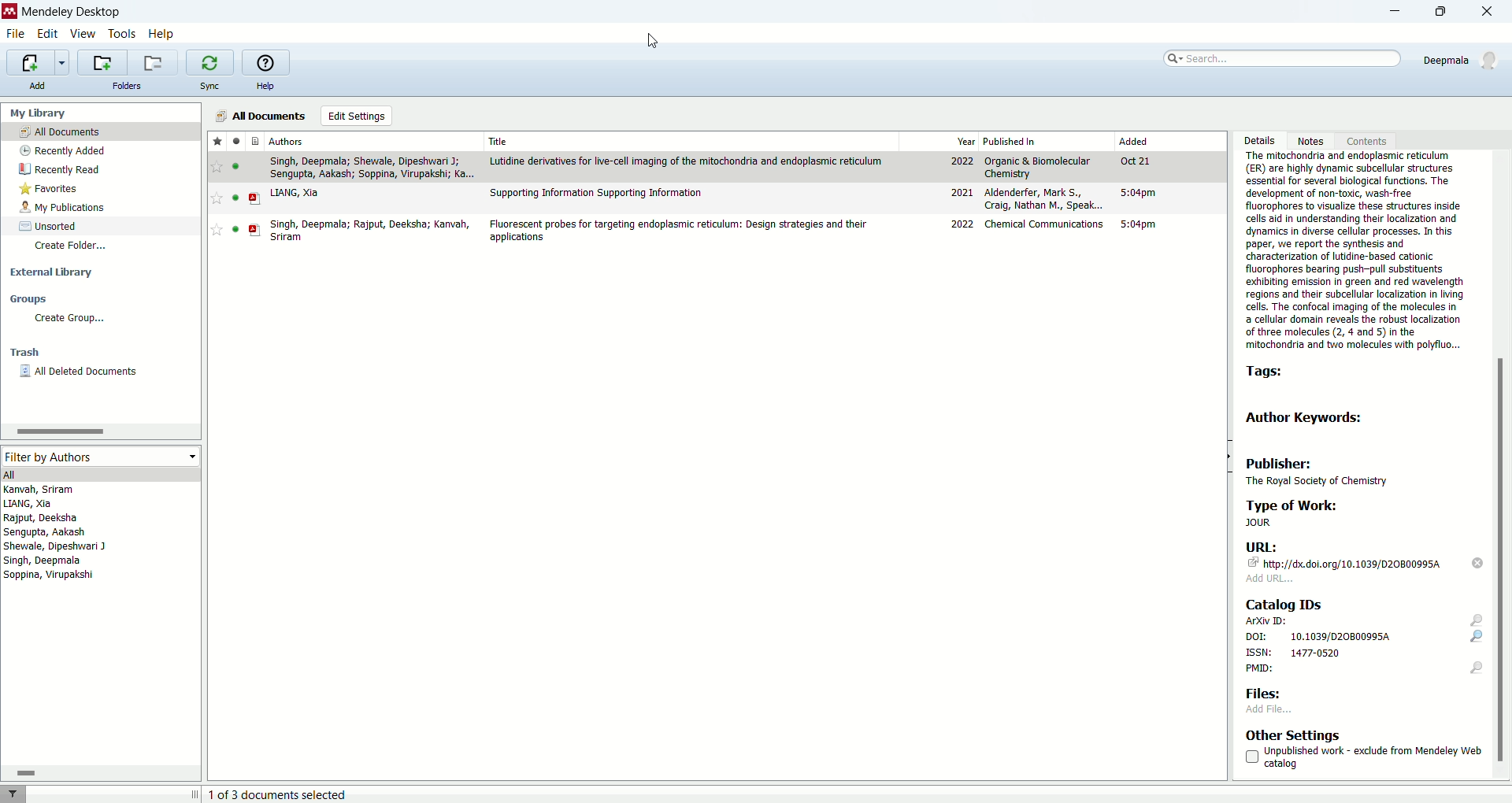 The width and height of the screenshot is (1512, 803). What do you see at coordinates (1364, 670) in the screenshot?
I see `PMID: ` at bounding box center [1364, 670].